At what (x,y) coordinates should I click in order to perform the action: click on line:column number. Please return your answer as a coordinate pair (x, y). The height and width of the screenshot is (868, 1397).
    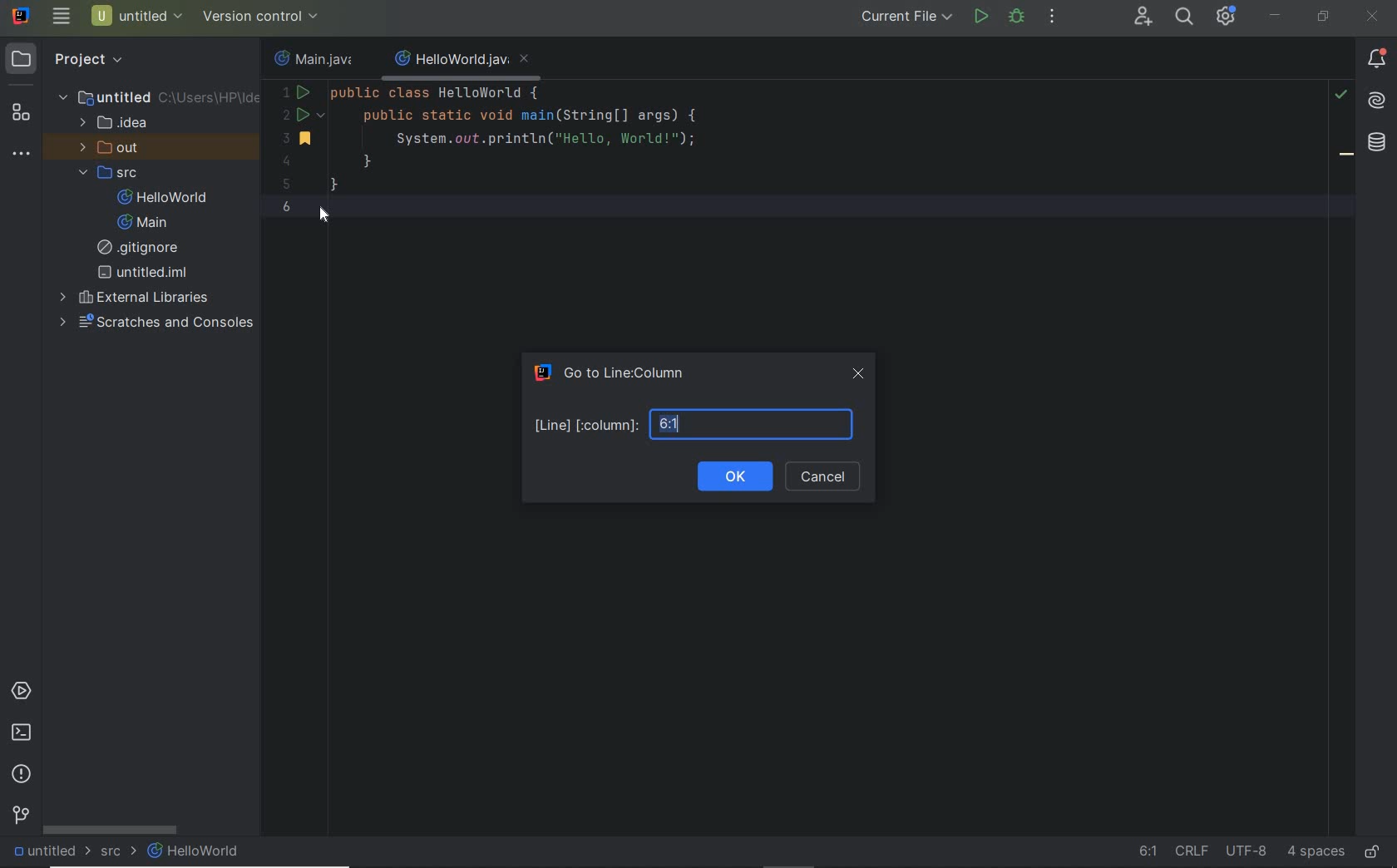
    Looking at the image, I should click on (695, 423).